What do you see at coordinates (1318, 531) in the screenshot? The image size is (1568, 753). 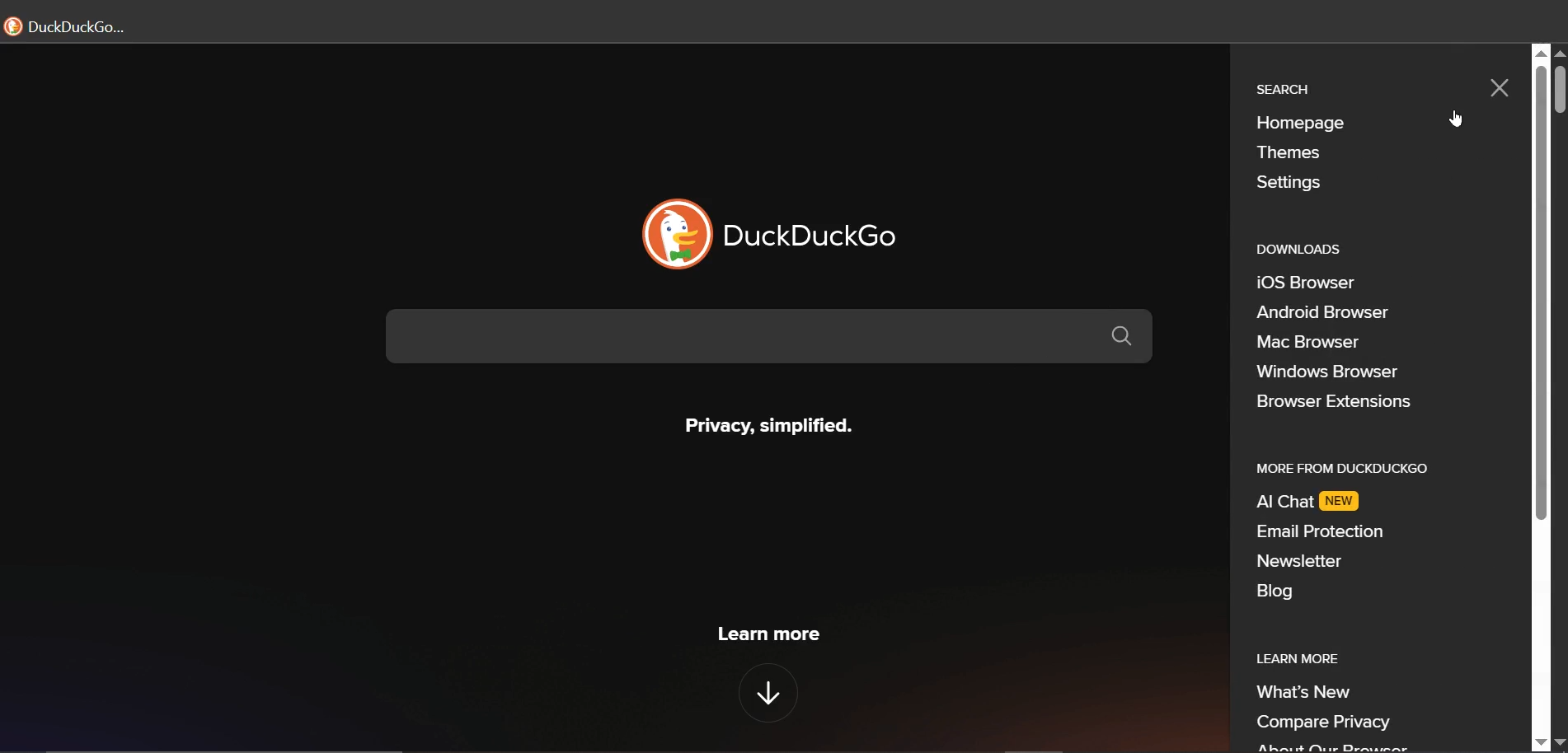 I see `Email Protection` at bounding box center [1318, 531].